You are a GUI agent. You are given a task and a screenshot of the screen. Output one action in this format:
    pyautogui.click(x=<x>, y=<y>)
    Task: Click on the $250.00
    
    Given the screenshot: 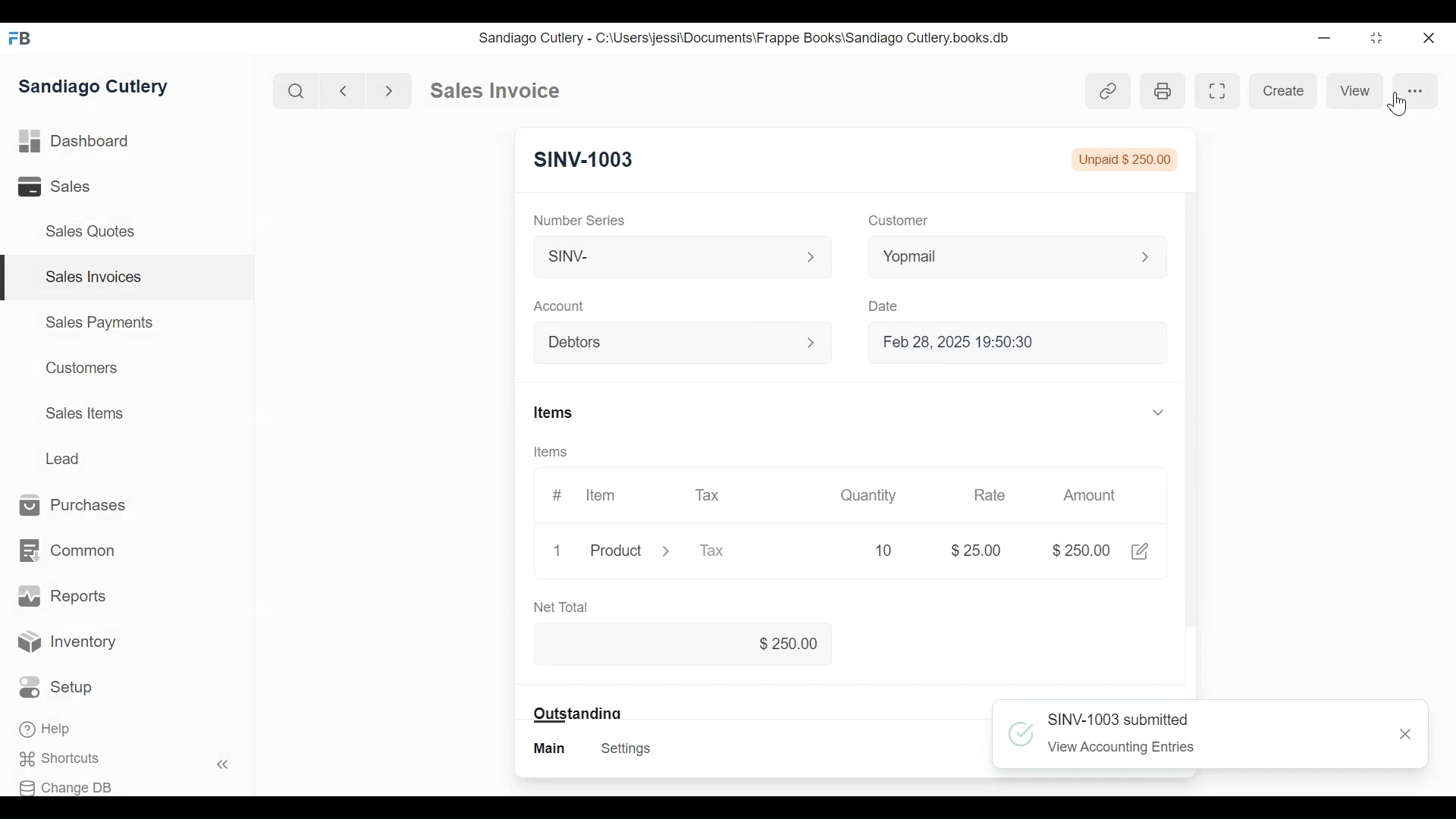 What is the action you would take?
    pyautogui.click(x=788, y=642)
    